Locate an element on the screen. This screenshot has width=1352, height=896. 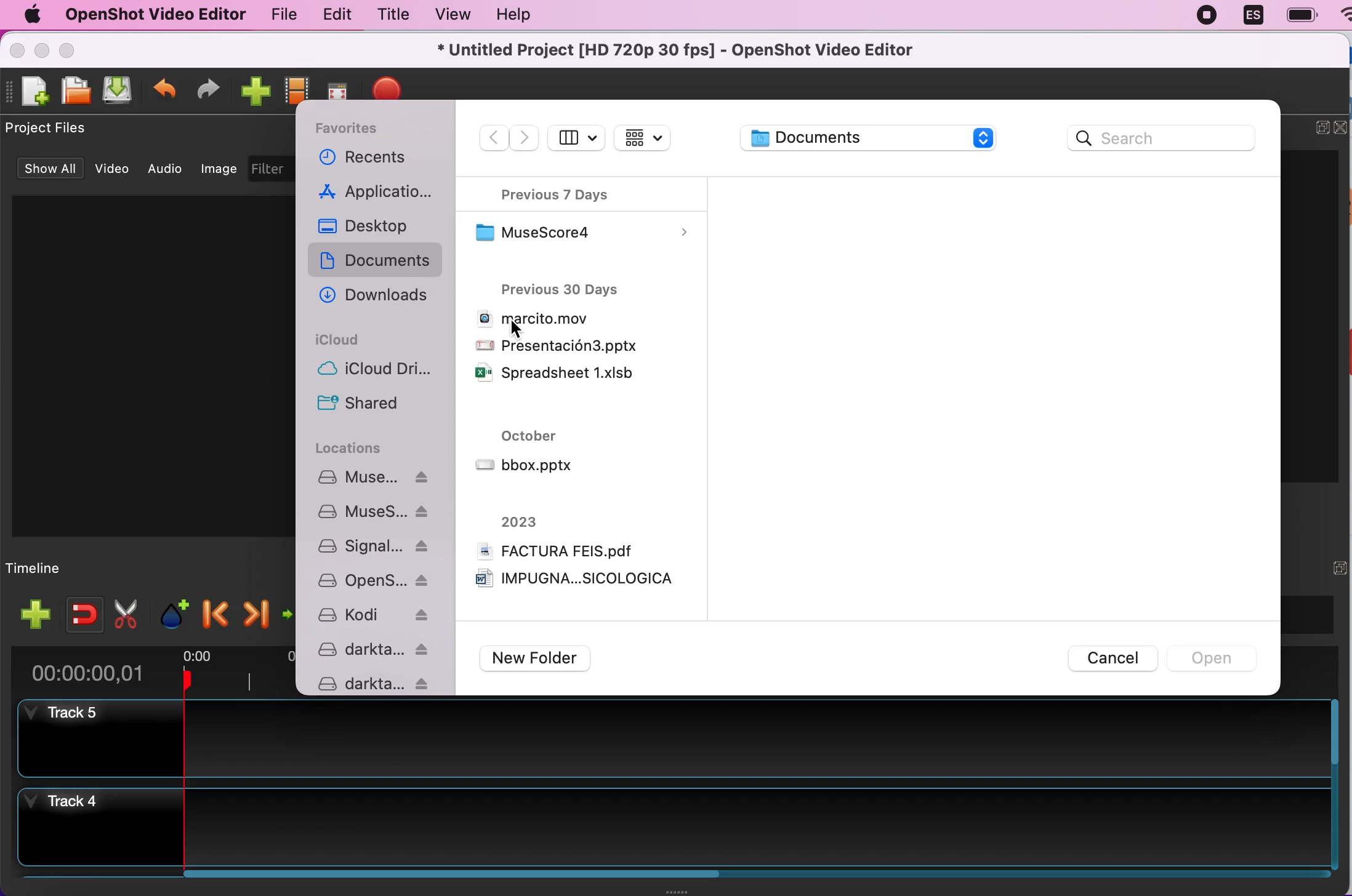
add track is located at coordinates (32, 615).